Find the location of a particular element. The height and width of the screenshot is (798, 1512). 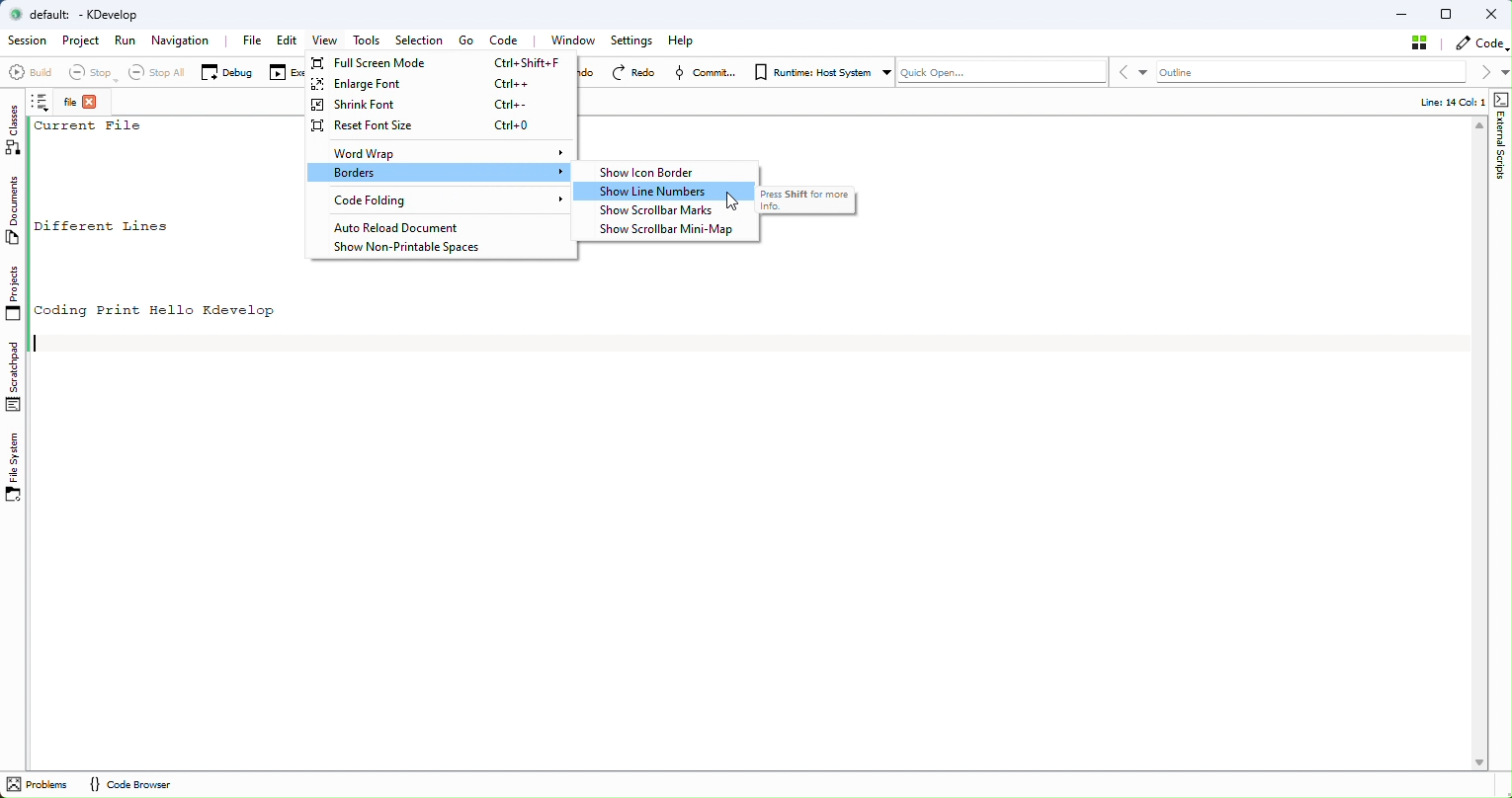

Code Browser is located at coordinates (128, 785).